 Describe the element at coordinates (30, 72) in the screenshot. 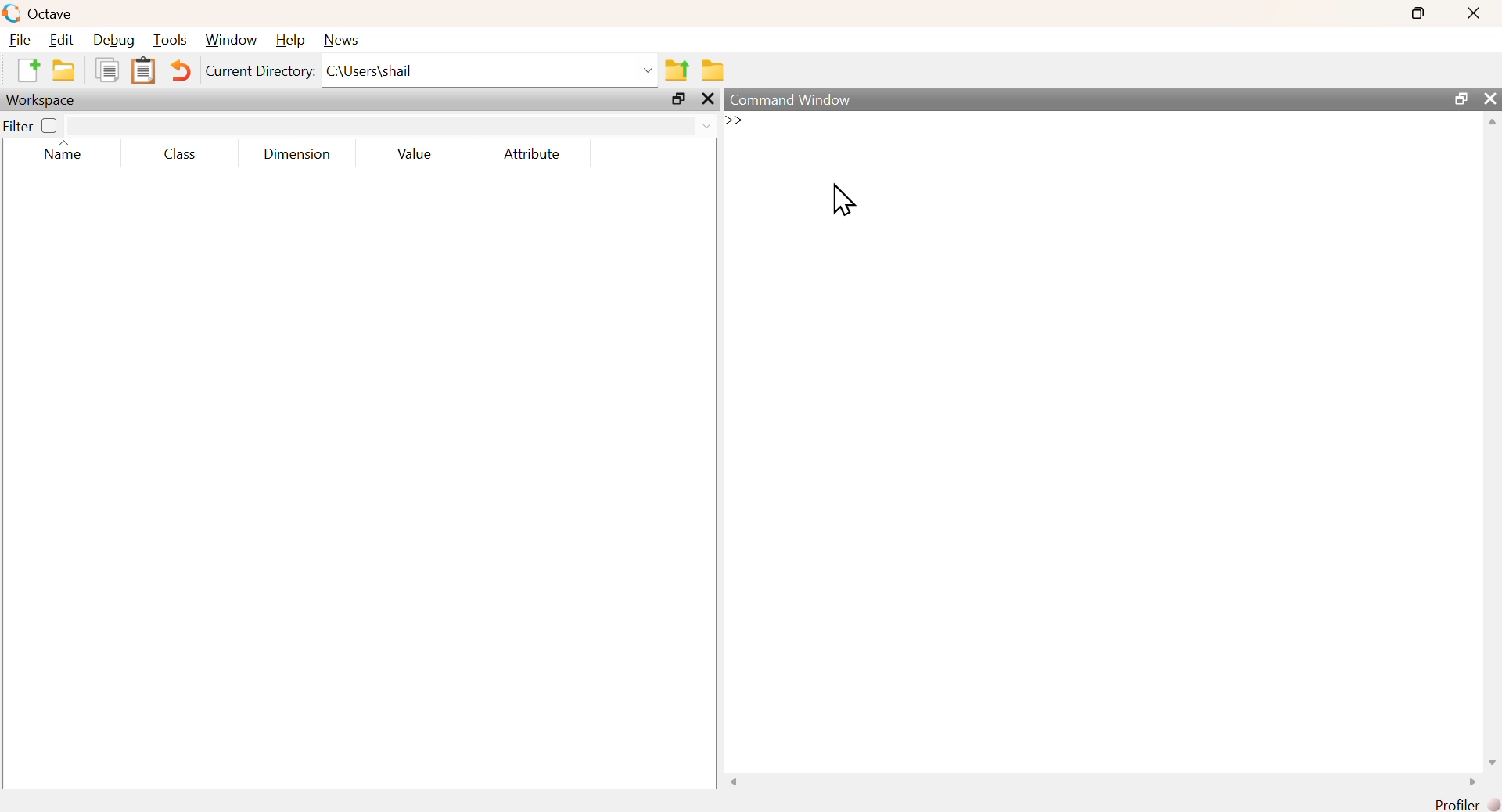

I see `new script` at that location.